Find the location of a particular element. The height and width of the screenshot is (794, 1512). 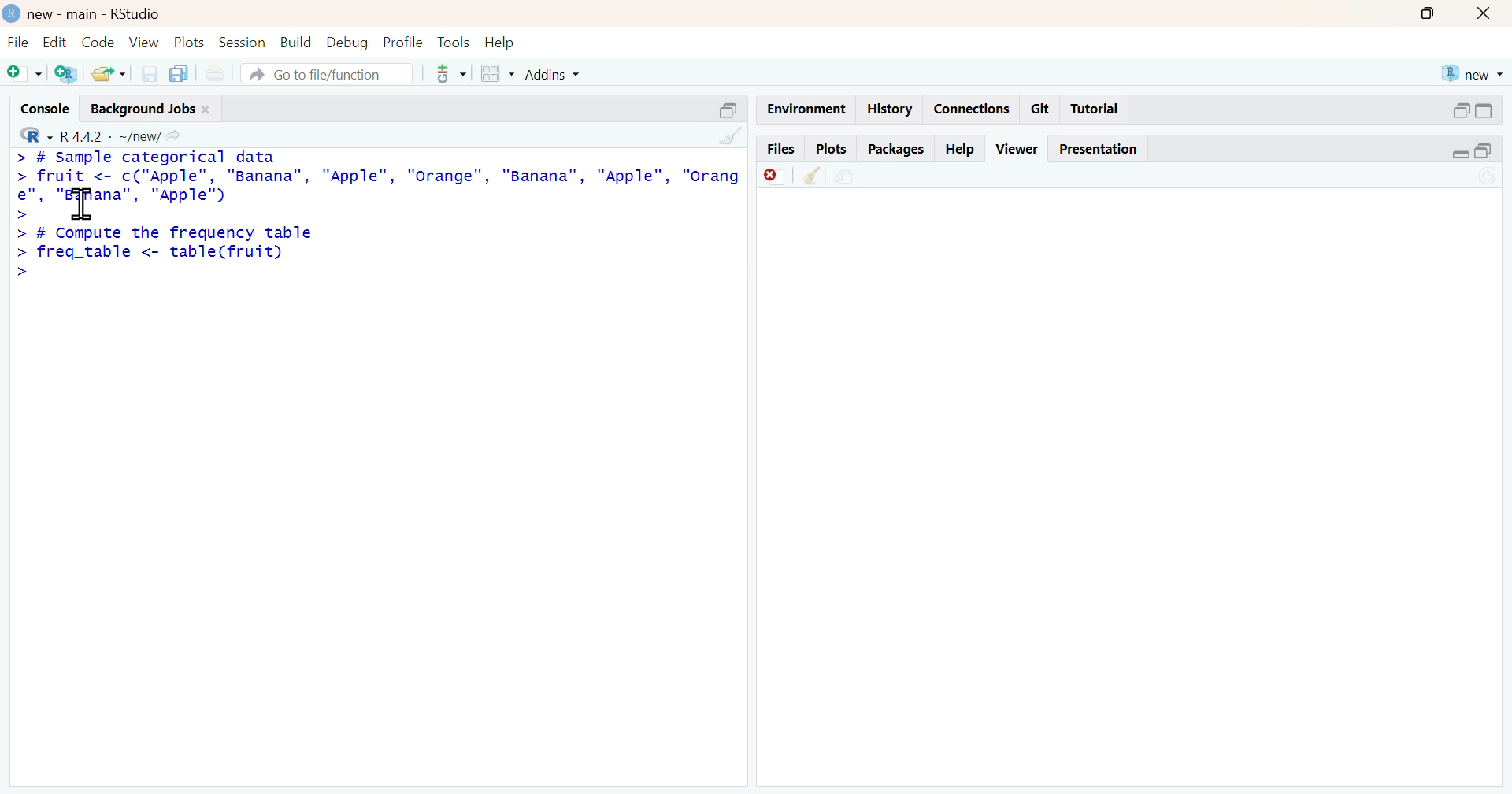

Addins is located at coordinates (552, 74).